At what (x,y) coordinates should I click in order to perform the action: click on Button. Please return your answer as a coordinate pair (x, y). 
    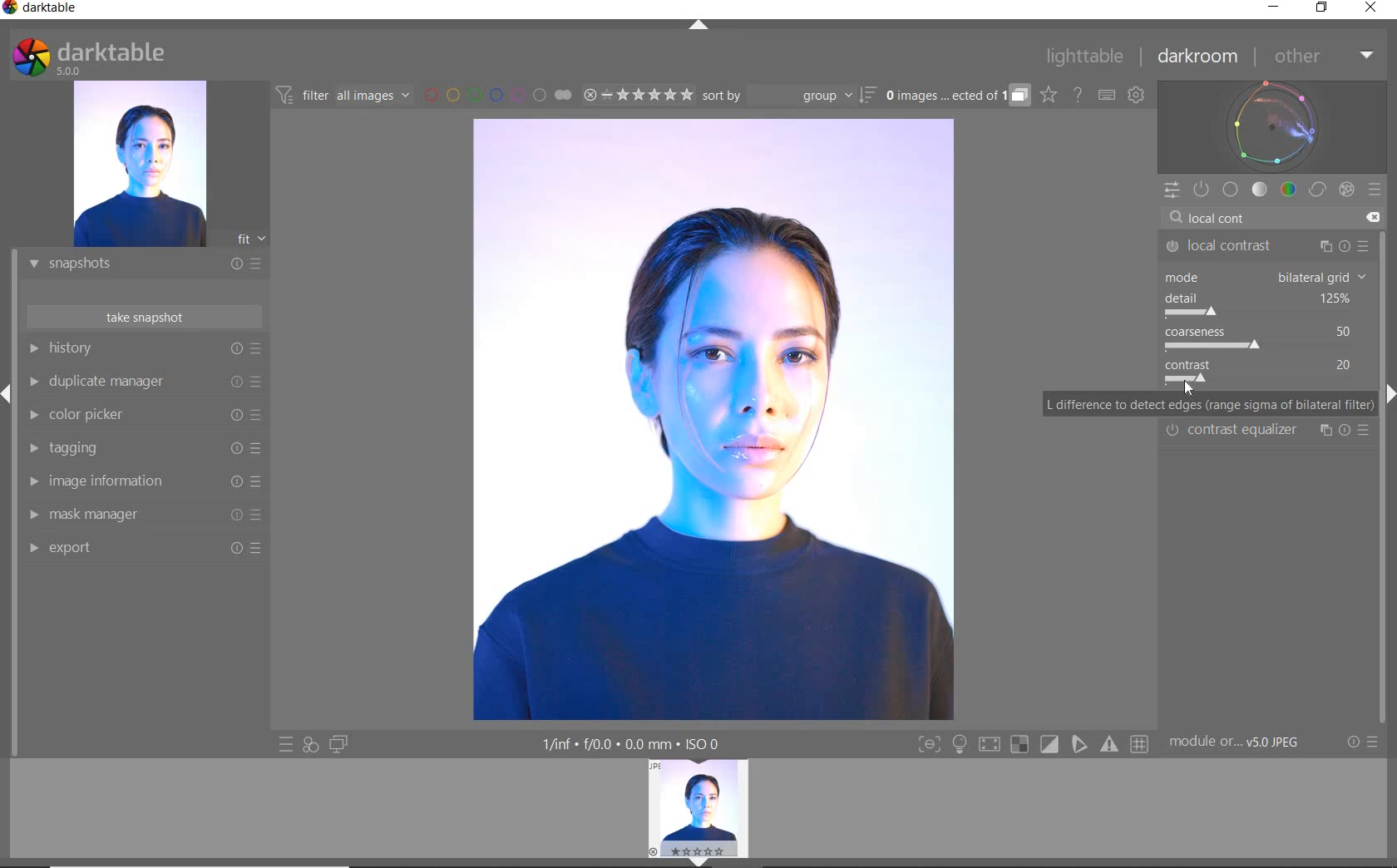
    Looking at the image, I should click on (929, 746).